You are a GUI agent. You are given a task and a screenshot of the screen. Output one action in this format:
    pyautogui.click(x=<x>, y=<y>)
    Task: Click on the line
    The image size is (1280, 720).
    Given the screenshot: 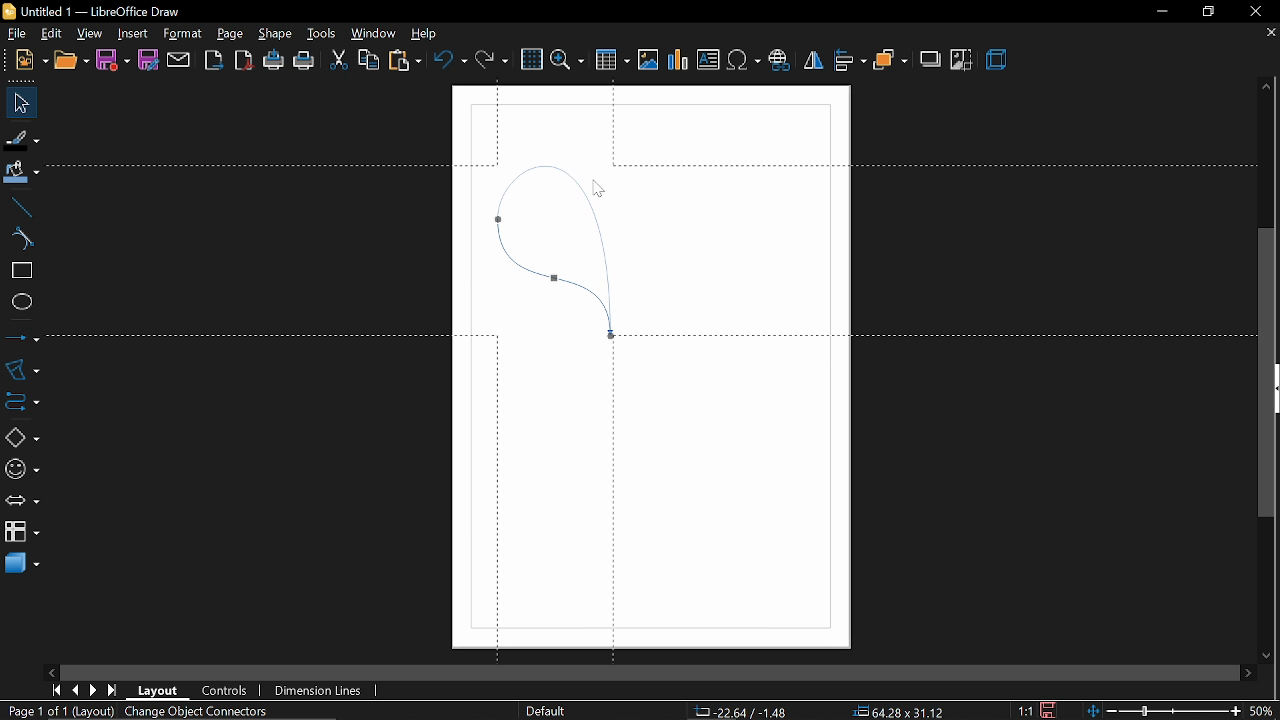 What is the action you would take?
    pyautogui.click(x=18, y=205)
    